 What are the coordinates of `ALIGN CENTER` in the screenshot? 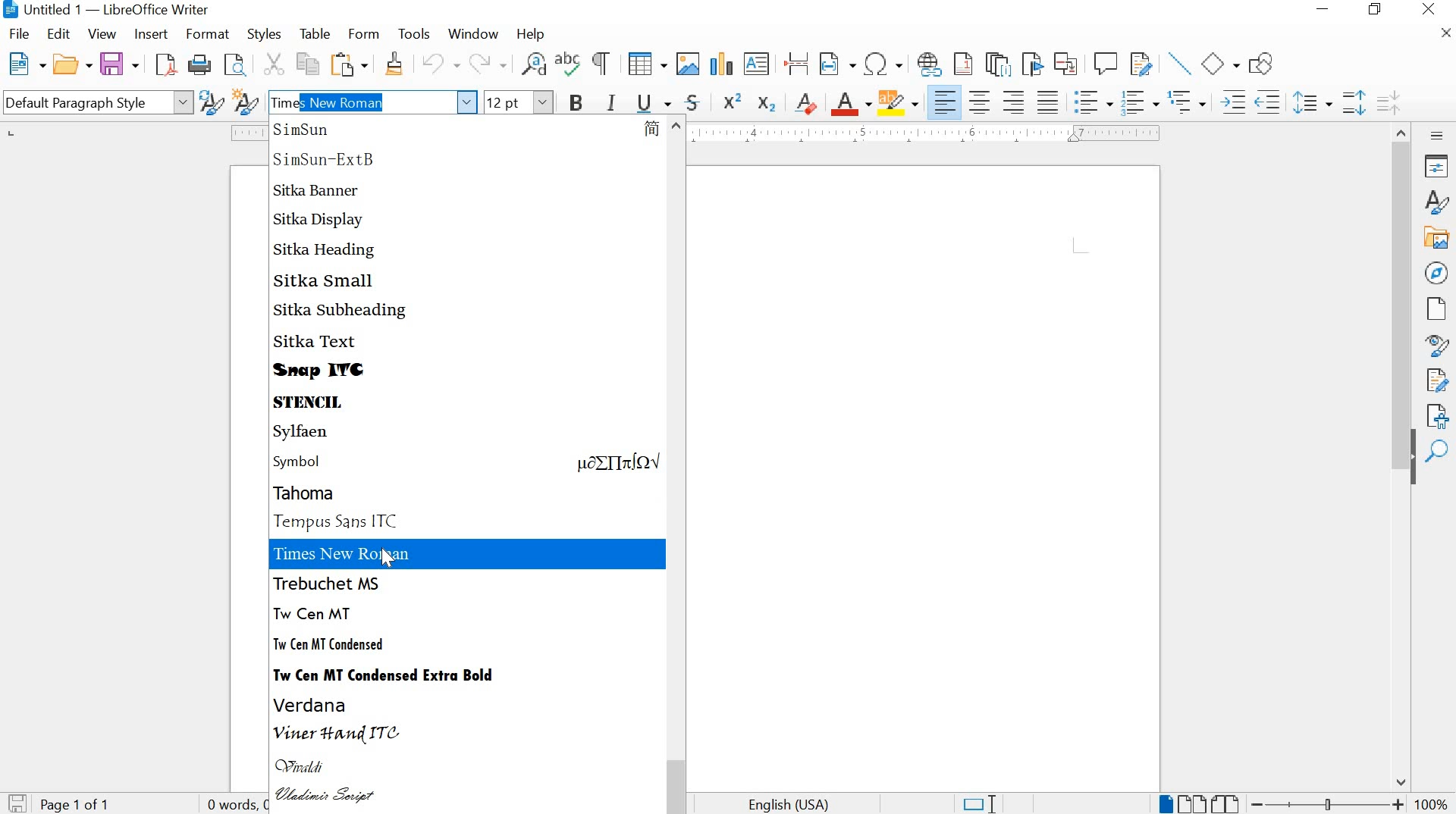 It's located at (982, 99).